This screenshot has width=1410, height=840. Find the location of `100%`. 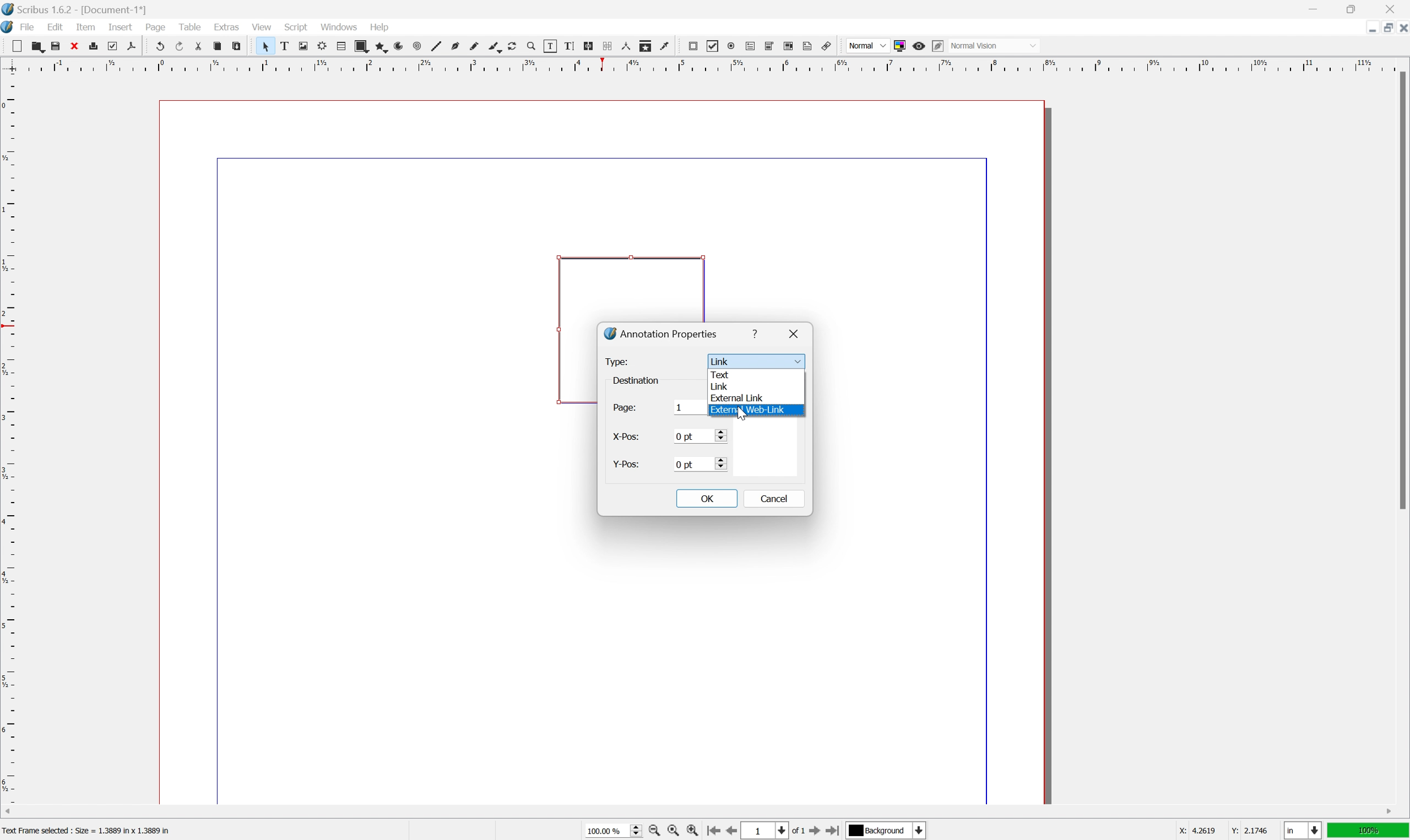

100% is located at coordinates (1369, 831).